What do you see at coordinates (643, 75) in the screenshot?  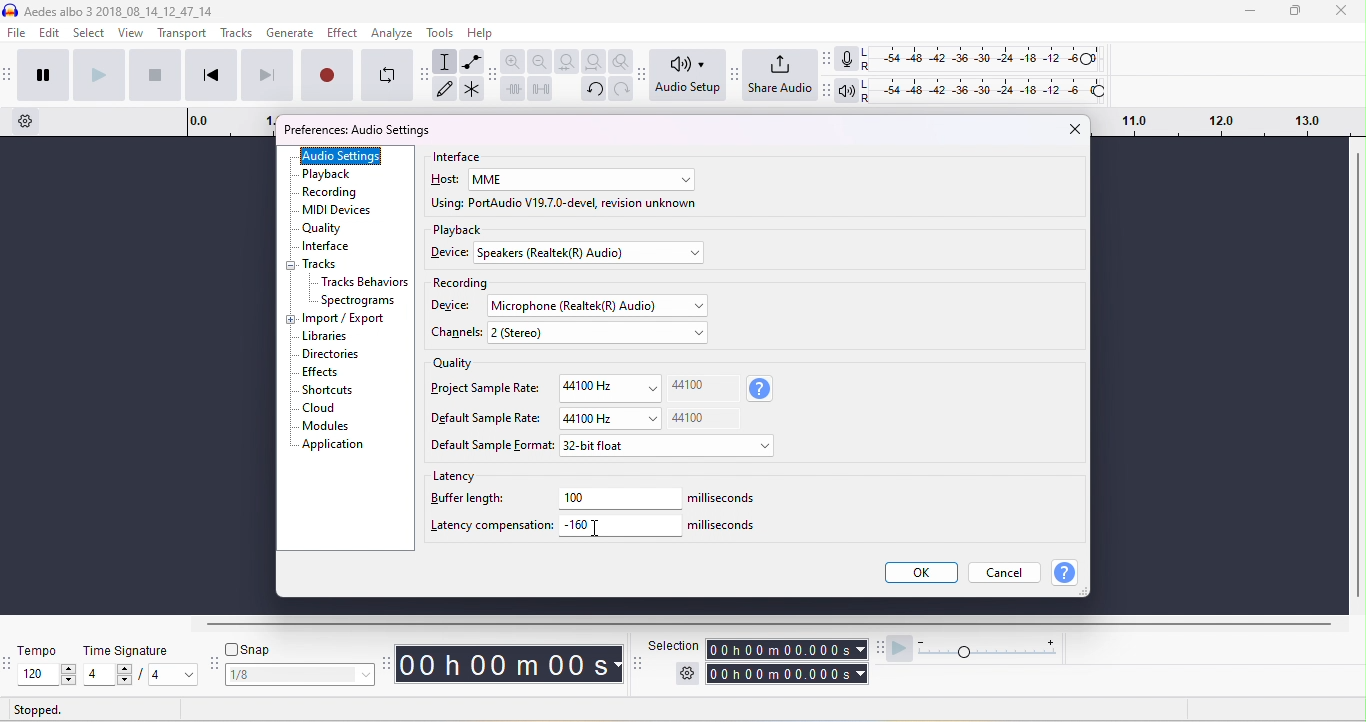 I see `Audacity audio setup toolbar` at bounding box center [643, 75].